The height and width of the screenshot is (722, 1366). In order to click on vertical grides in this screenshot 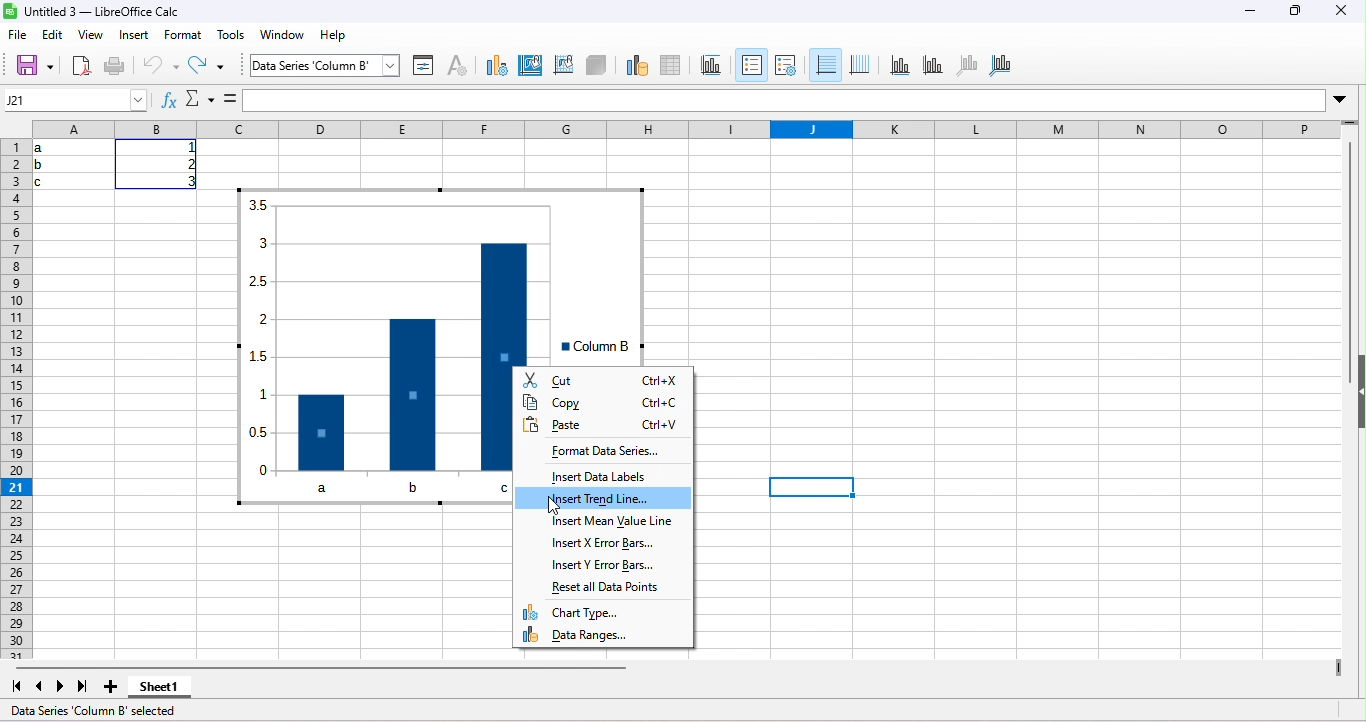, I will do `click(861, 65)`.